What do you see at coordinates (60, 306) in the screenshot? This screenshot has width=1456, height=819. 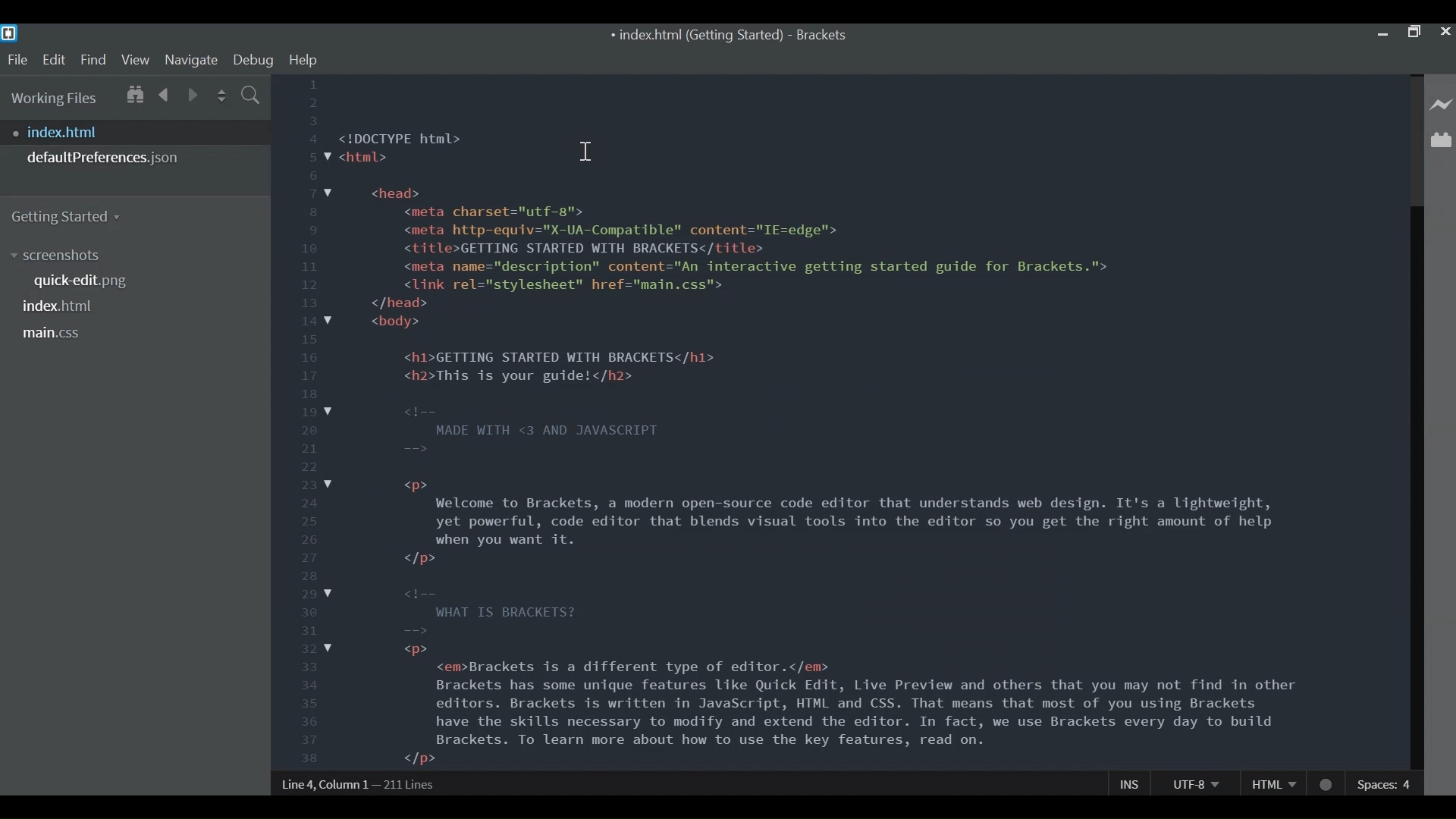 I see `index.html` at bounding box center [60, 306].